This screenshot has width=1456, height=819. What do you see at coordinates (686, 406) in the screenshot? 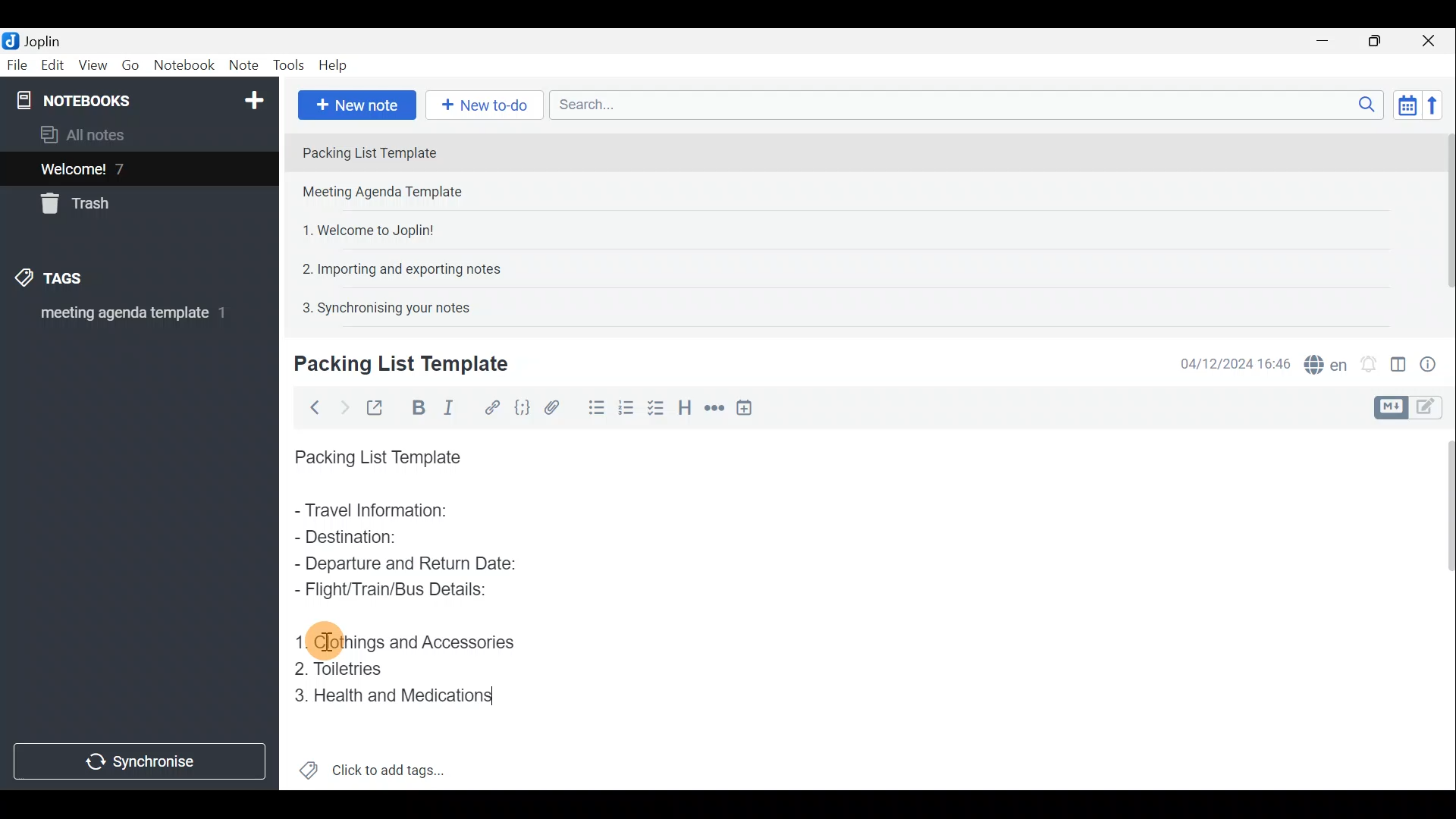
I see `Heading` at bounding box center [686, 406].